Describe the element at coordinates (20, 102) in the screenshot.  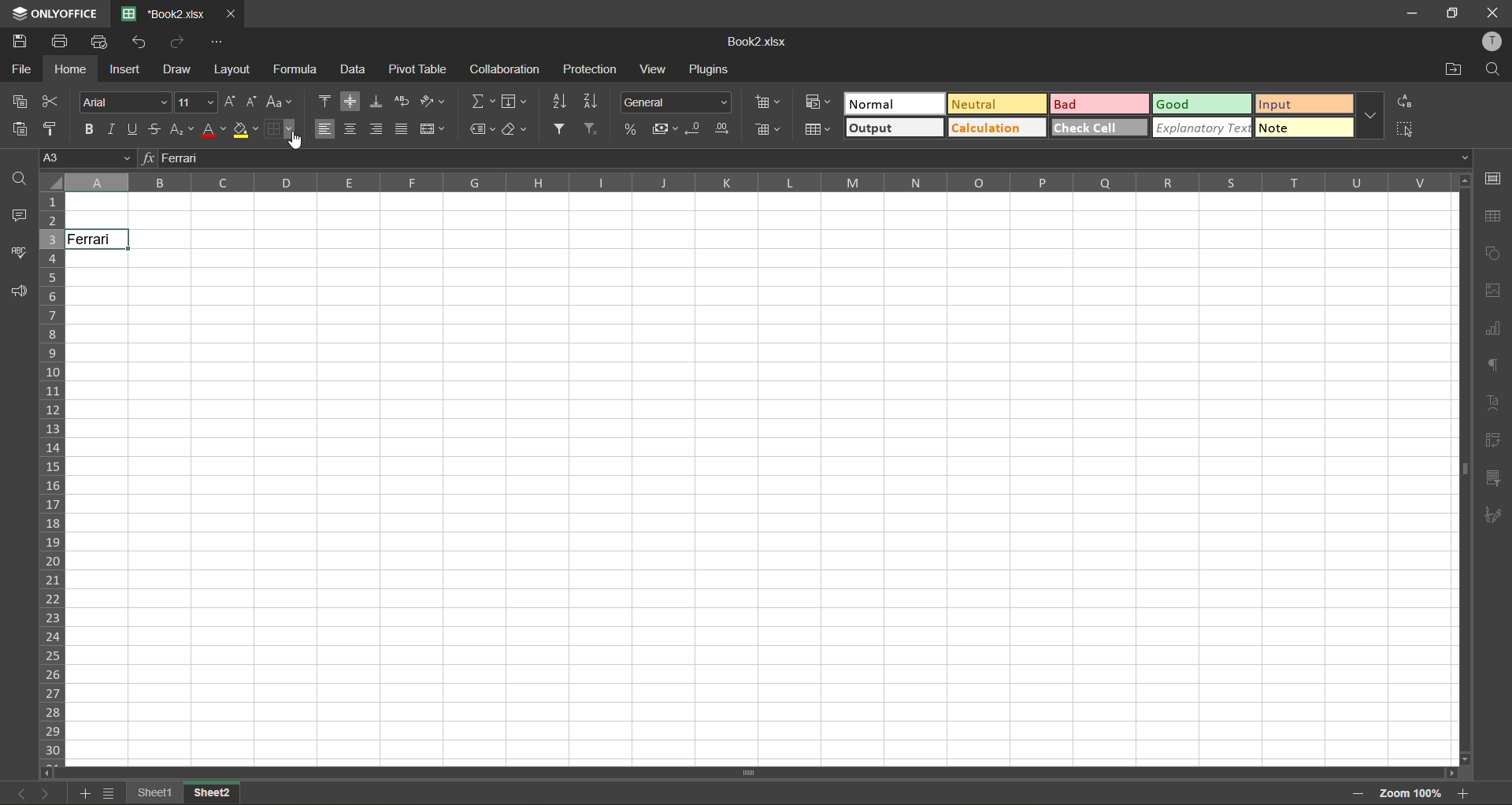
I see `copy` at that location.